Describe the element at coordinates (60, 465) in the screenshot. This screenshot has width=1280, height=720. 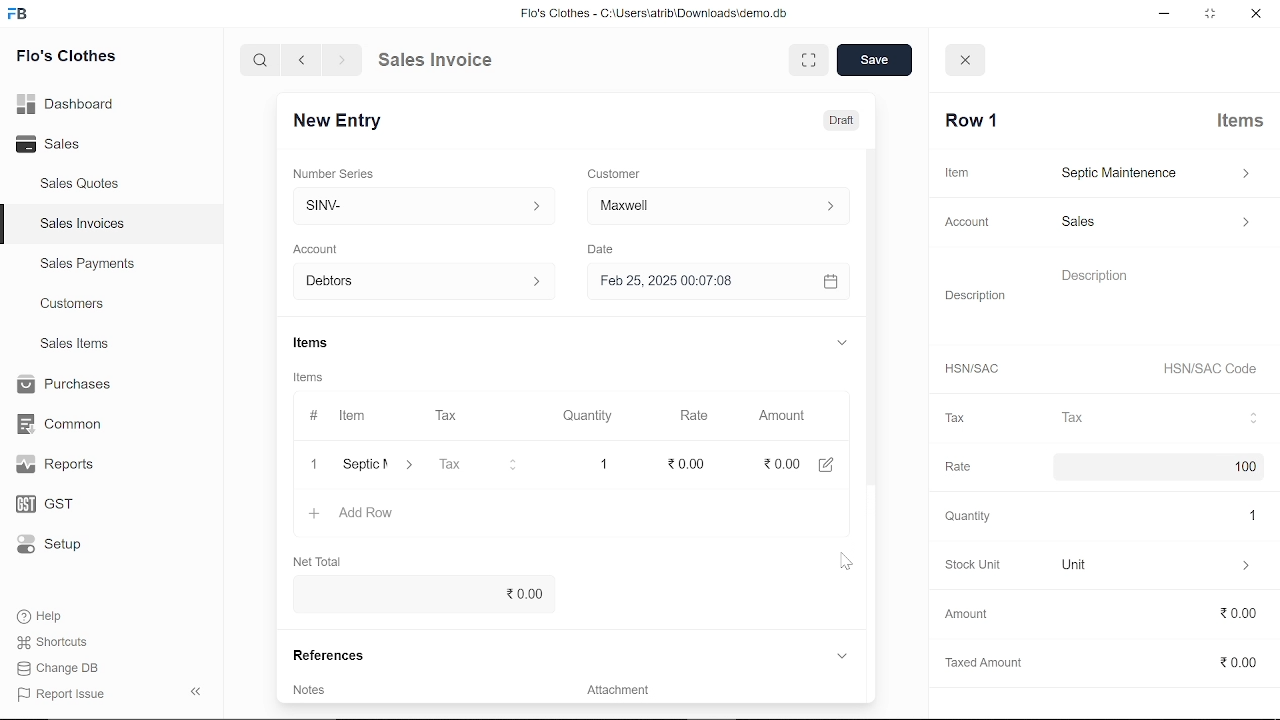
I see `Reports` at that location.